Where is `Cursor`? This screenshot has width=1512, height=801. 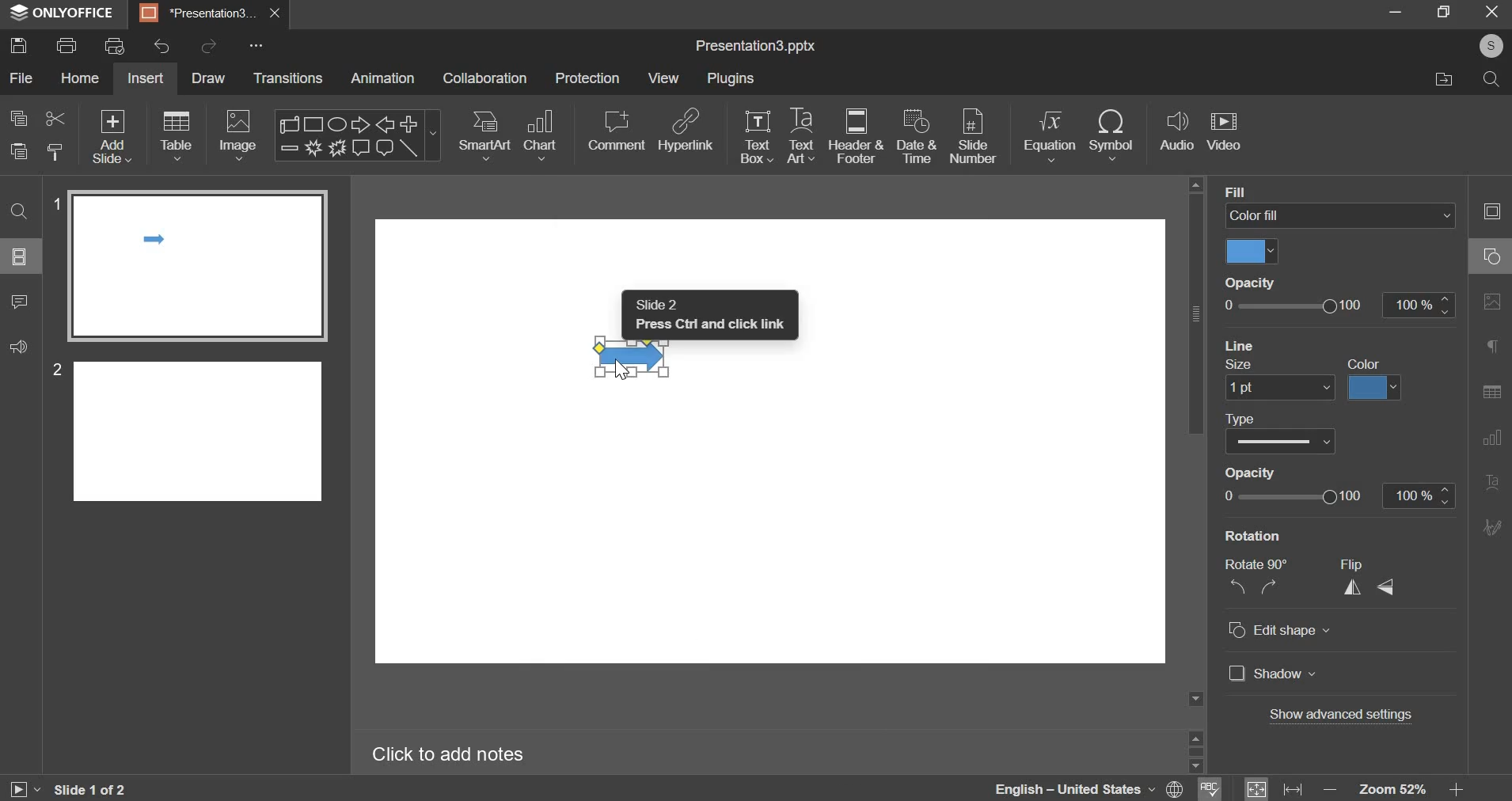 Cursor is located at coordinates (623, 369).